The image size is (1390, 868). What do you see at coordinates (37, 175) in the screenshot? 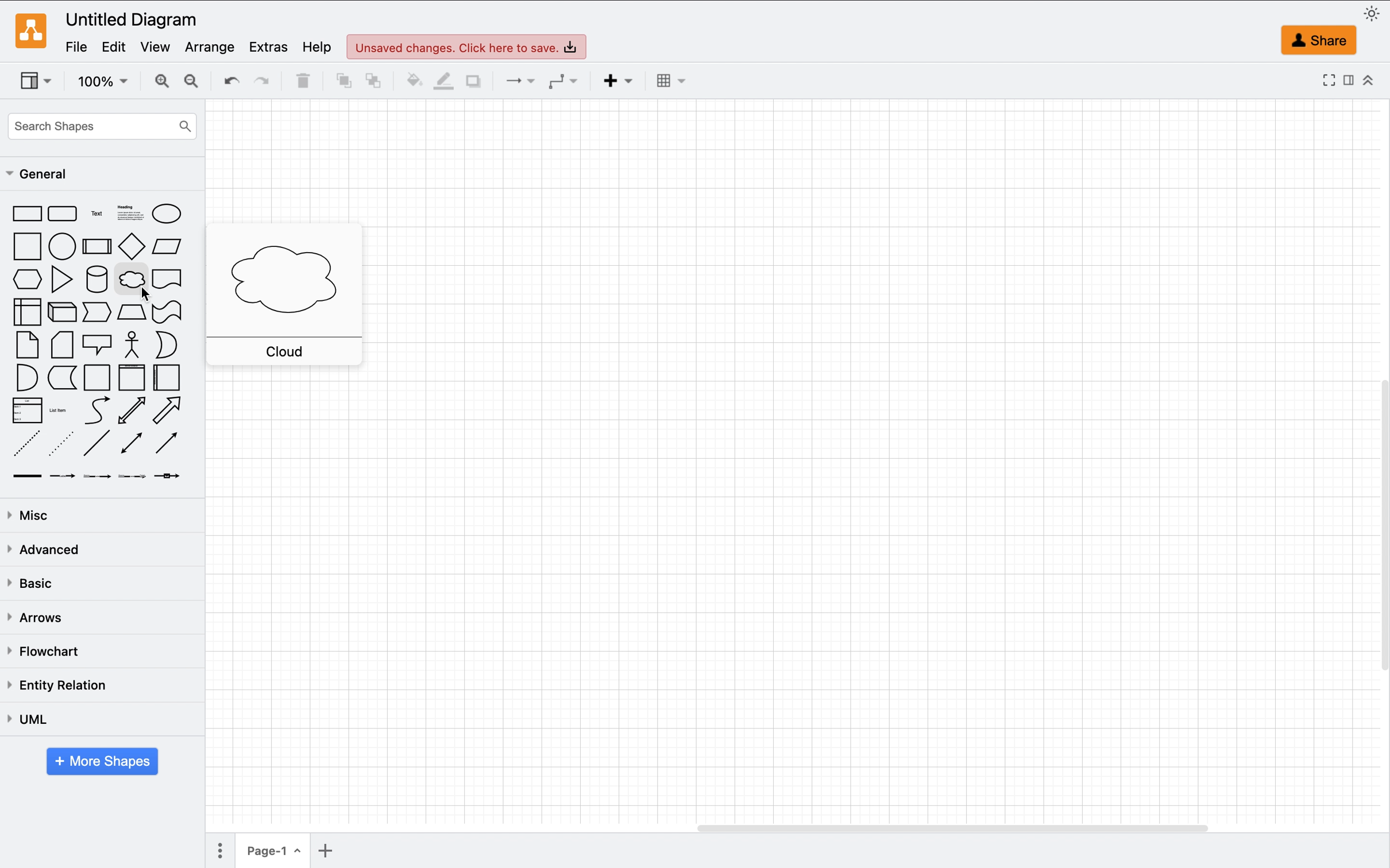
I see `general` at bounding box center [37, 175].